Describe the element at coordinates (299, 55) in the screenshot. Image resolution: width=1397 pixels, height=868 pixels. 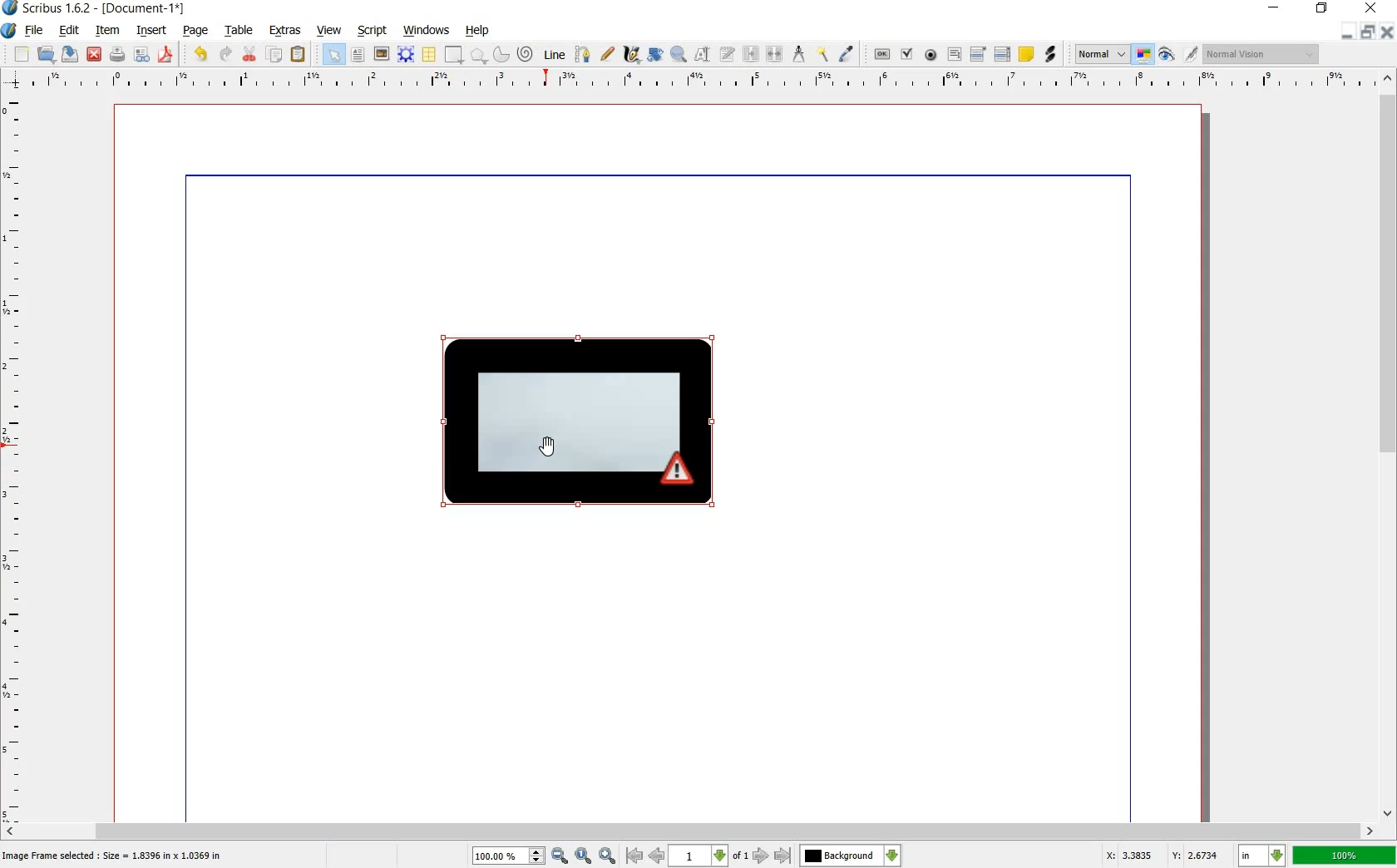
I see `paste` at that location.